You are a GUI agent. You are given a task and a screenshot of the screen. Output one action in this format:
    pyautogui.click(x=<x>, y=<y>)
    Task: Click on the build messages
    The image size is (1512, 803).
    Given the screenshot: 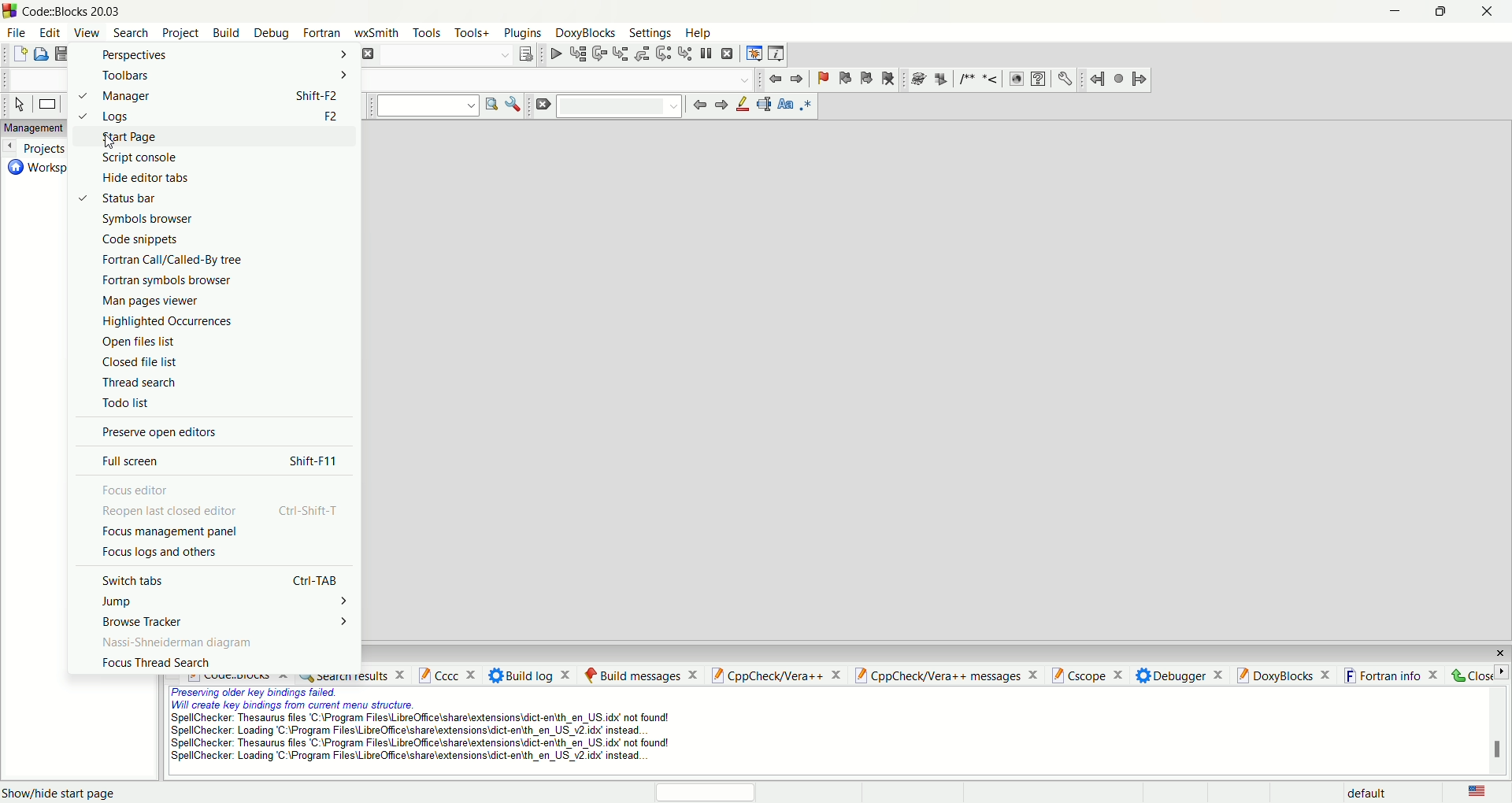 What is the action you would take?
    pyautogui.click(x=640, y=674)
    